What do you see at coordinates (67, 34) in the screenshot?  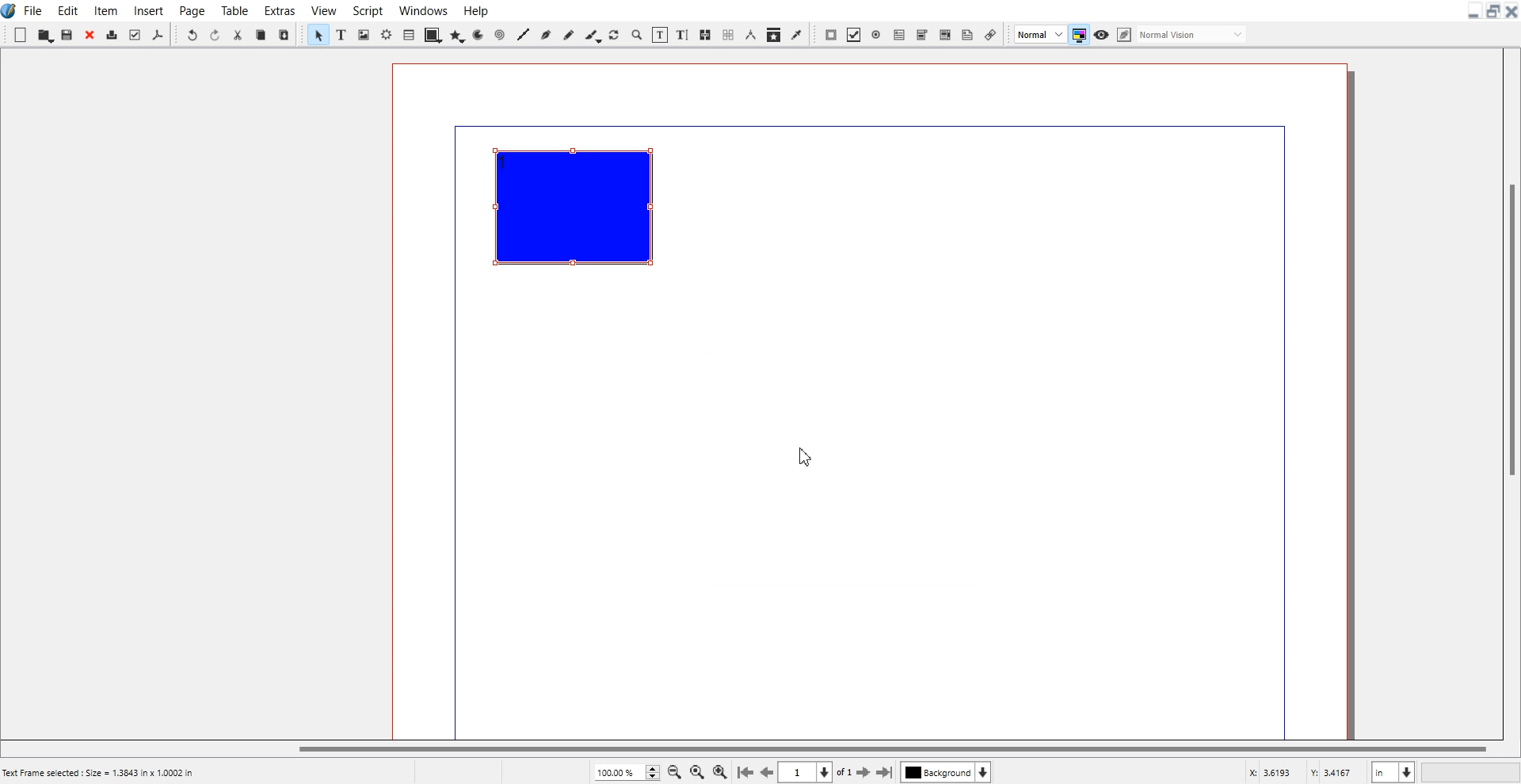 I see `Save` at bounding box center [67, 34].